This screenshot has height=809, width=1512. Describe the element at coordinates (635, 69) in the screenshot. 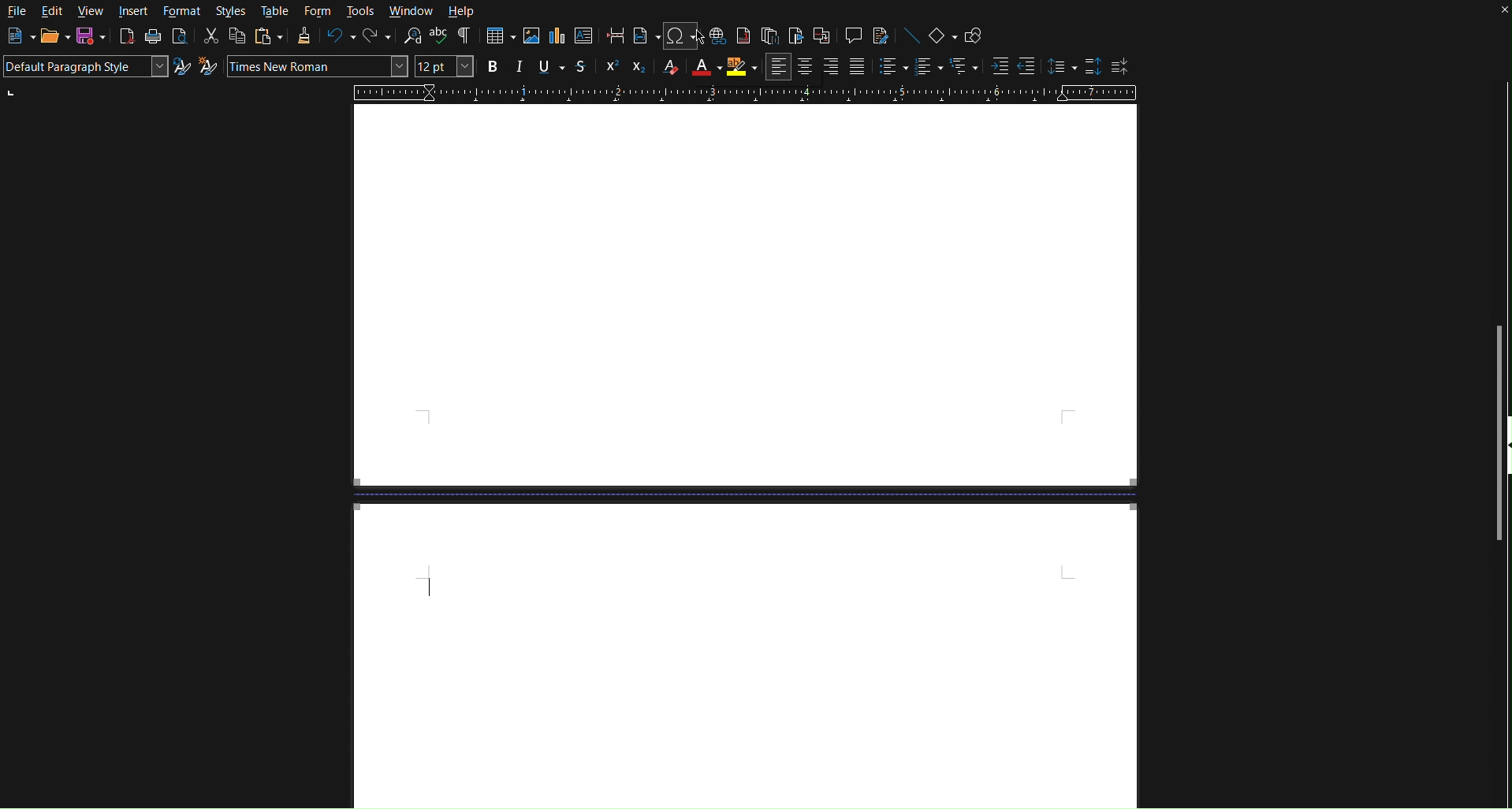

I see `Subscript` at that location.